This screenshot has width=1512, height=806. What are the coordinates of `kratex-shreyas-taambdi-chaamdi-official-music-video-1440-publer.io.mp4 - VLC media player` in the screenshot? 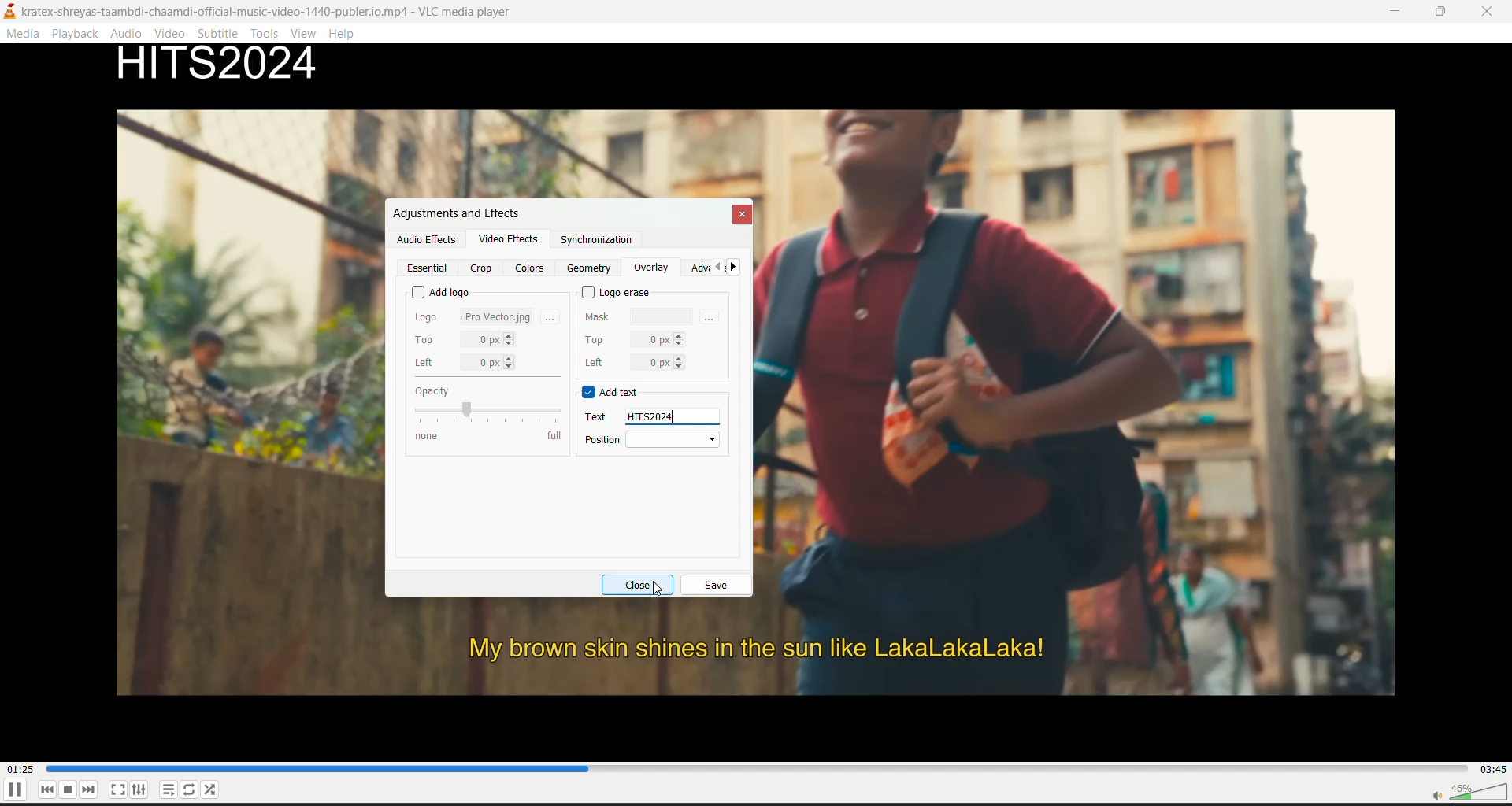 It's located at (280, 9).